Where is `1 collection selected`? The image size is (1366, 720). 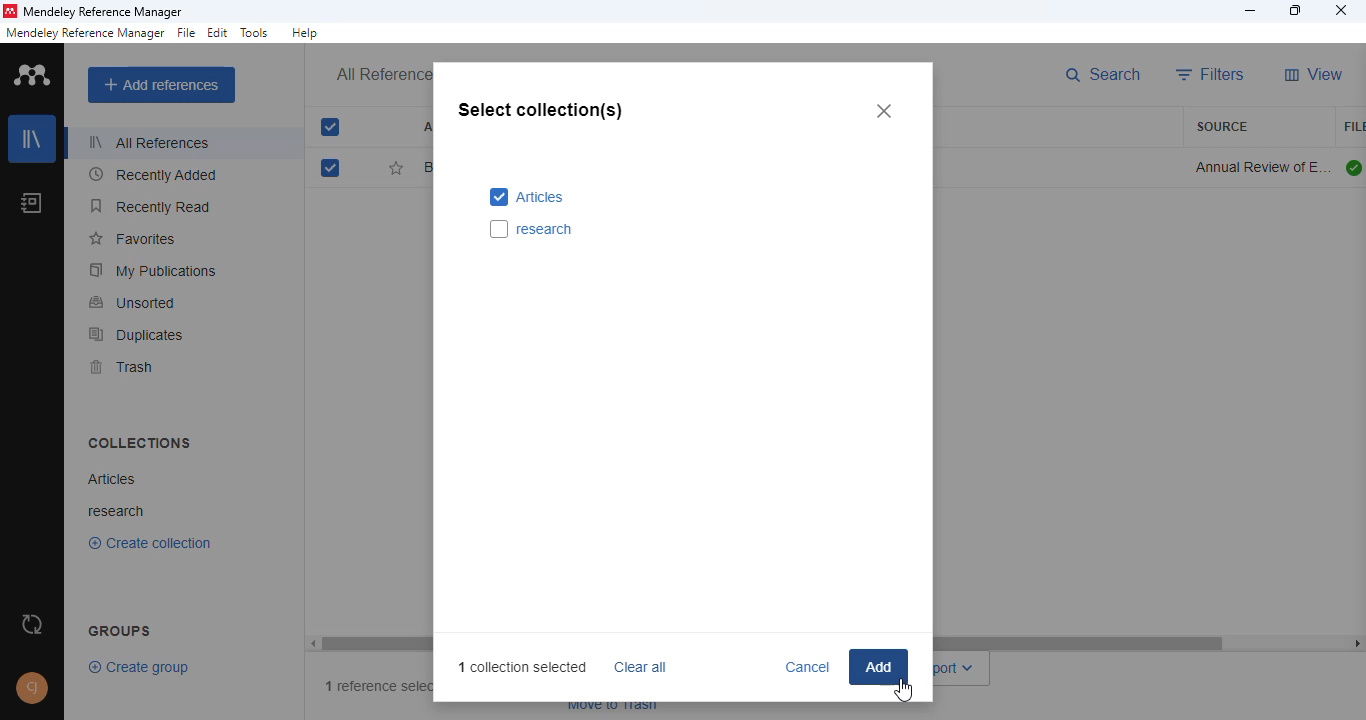 1 collection selected is located at coordinates (522, 668).